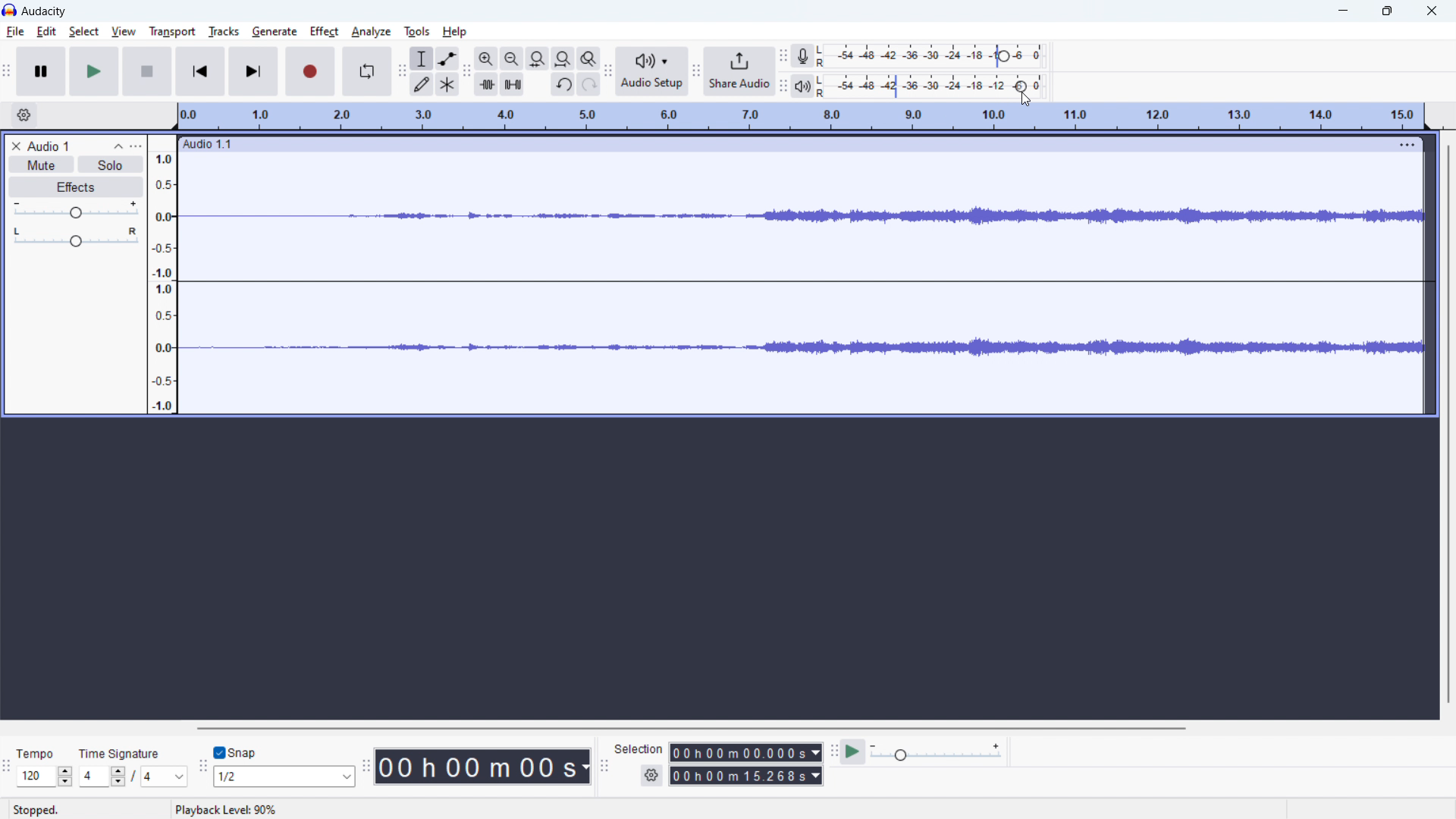 Image resolution: width=1456 pixels, height=819 pixels. Describe the element at coordinates (22, 114) in the screenshot. I see `timeline settings` at that location.